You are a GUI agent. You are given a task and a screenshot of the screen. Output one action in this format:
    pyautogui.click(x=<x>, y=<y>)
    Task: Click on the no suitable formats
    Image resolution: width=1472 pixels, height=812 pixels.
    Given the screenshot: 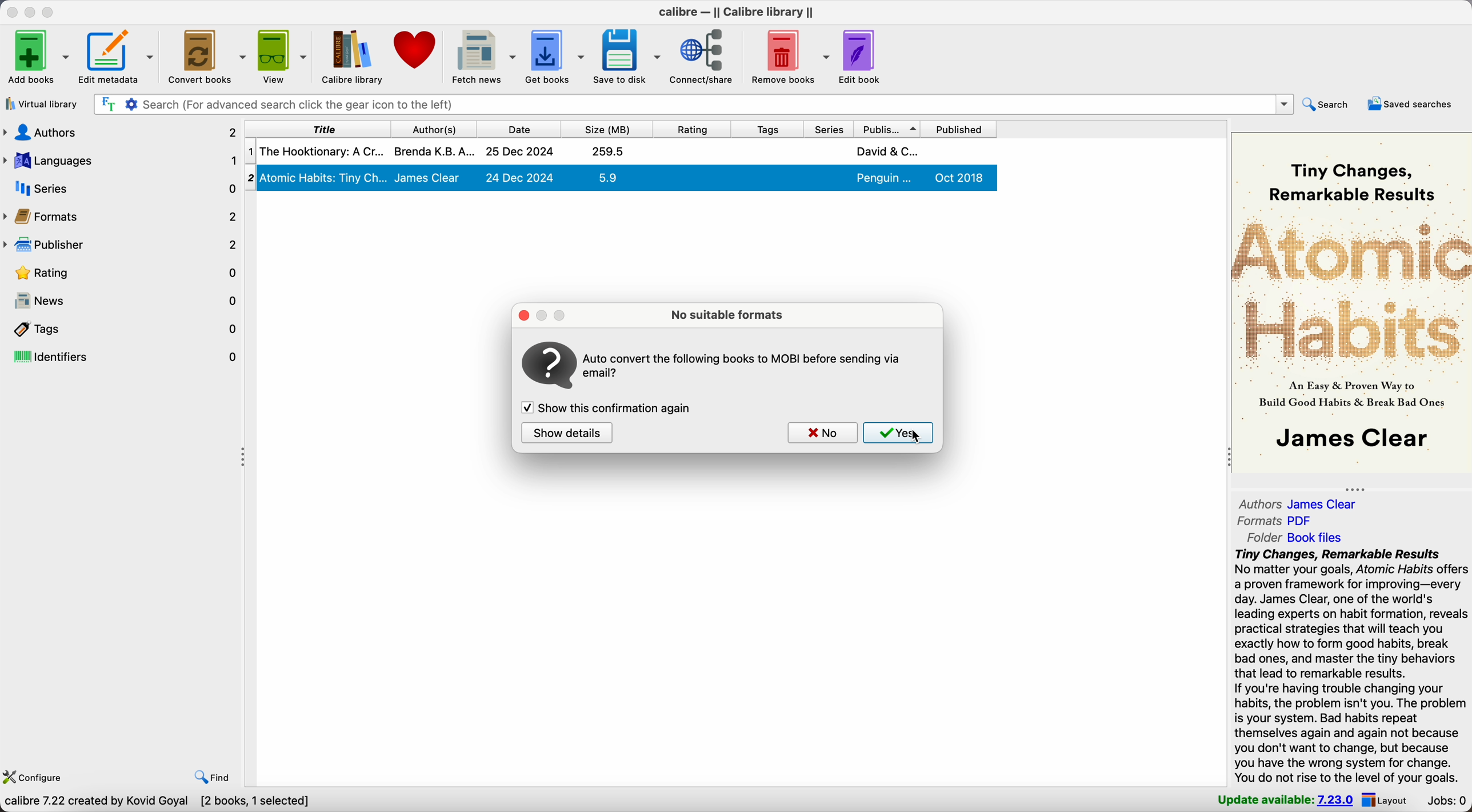 What is the action you would take?
    pyautogui.click(x=727, y=313)
    